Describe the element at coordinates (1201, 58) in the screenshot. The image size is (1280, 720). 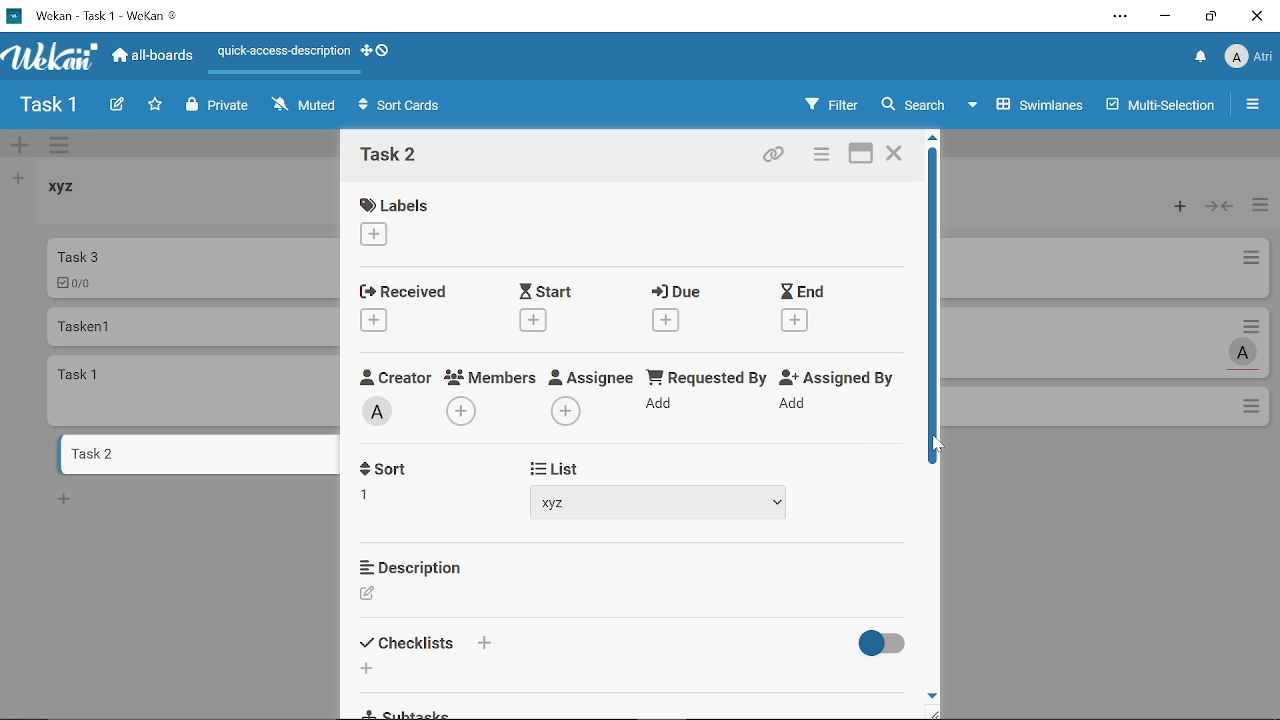
I see `Notifications` at that location.